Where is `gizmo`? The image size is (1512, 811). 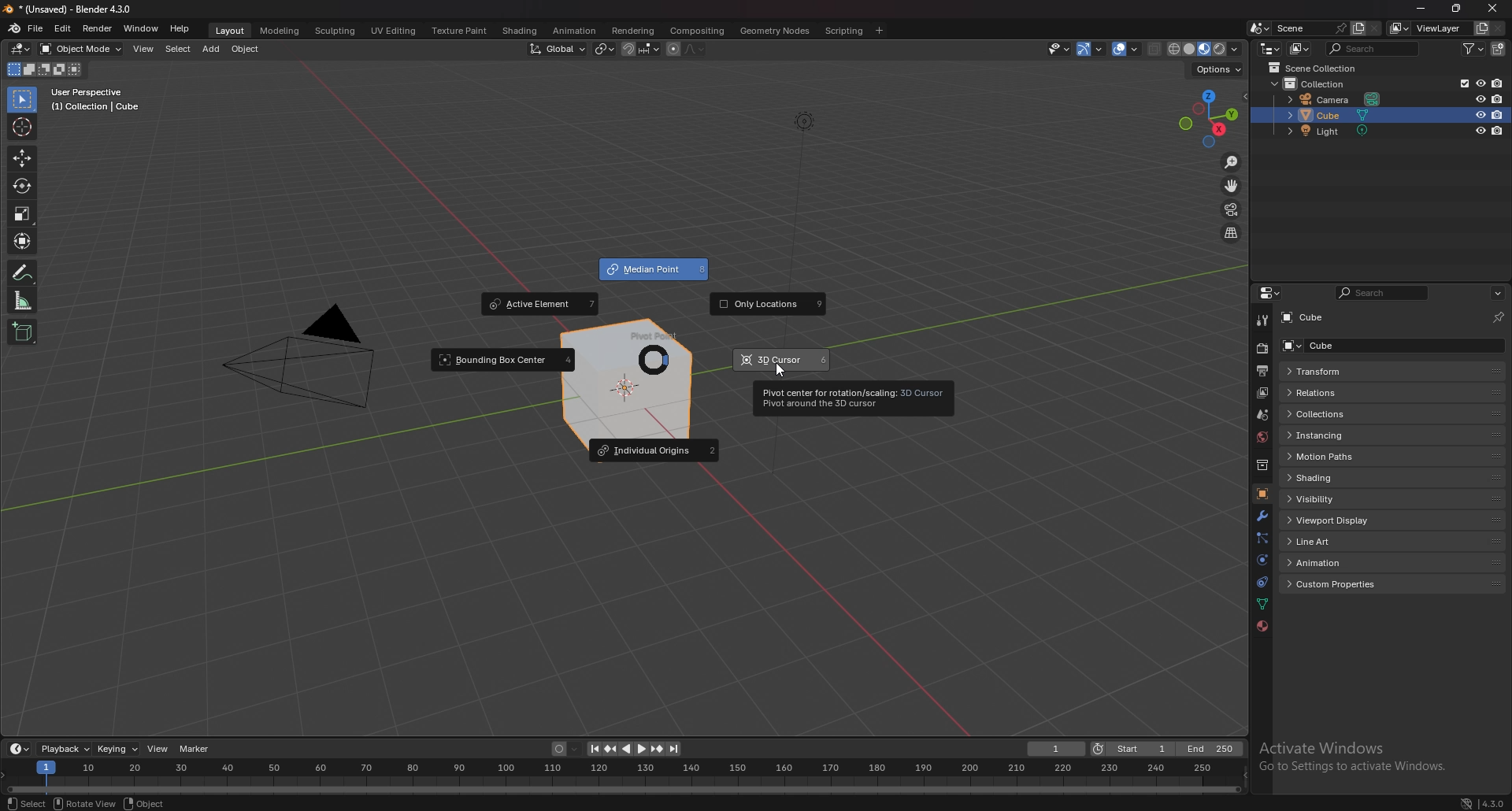 gizmo is located at coordinates (1091, 50).